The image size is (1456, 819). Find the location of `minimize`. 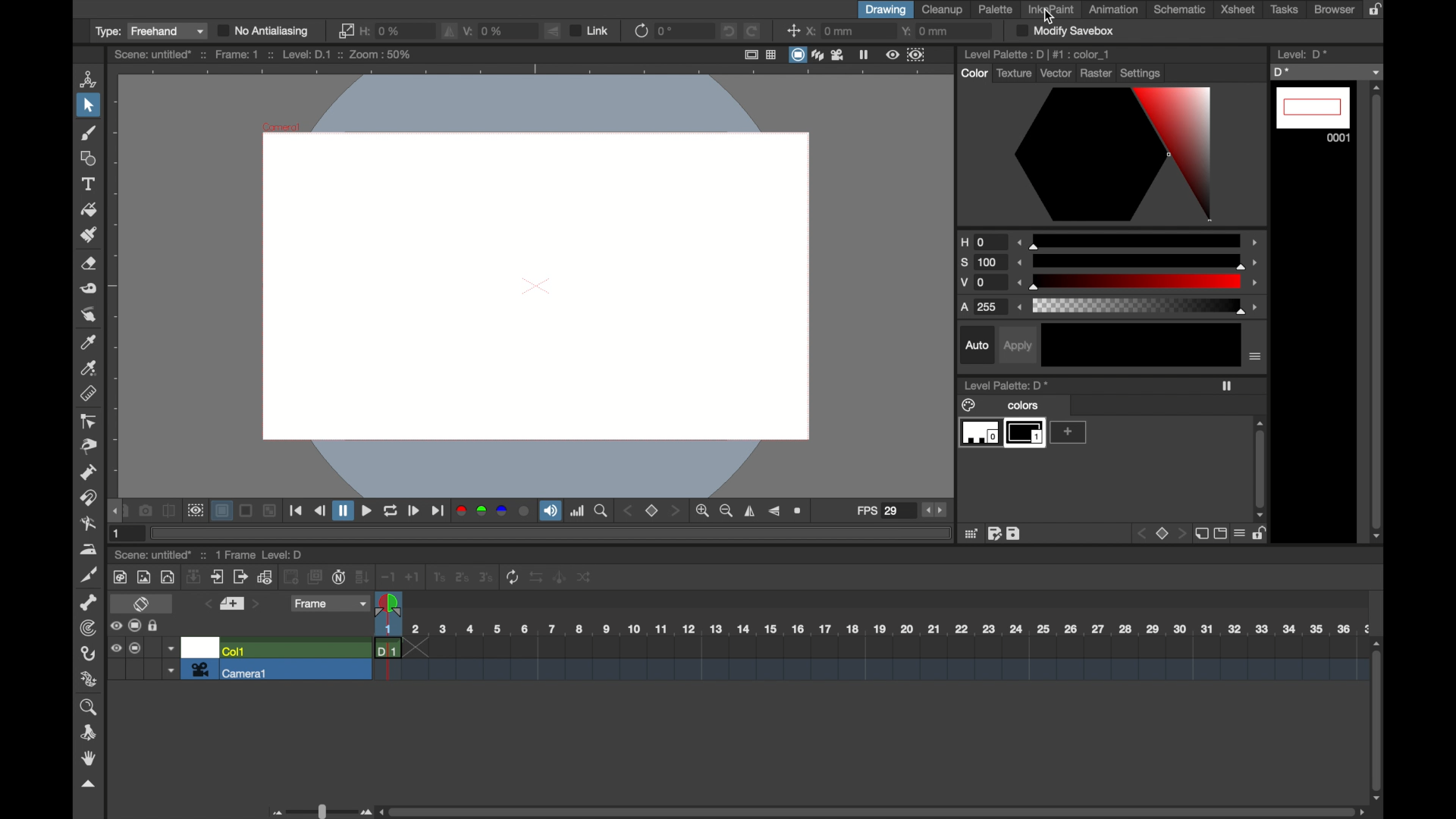

minimize is located at coordinates (270, 510).